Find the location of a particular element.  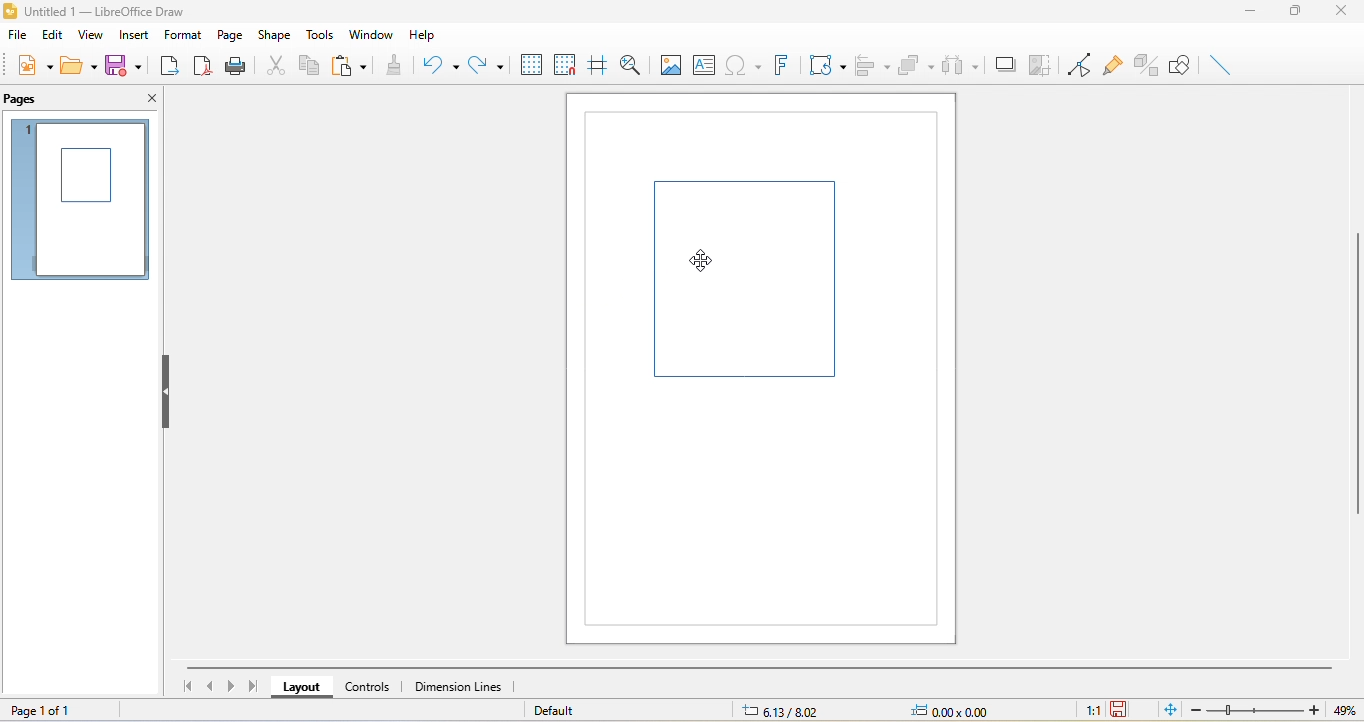

font work text is located at coordinates (782, 64).